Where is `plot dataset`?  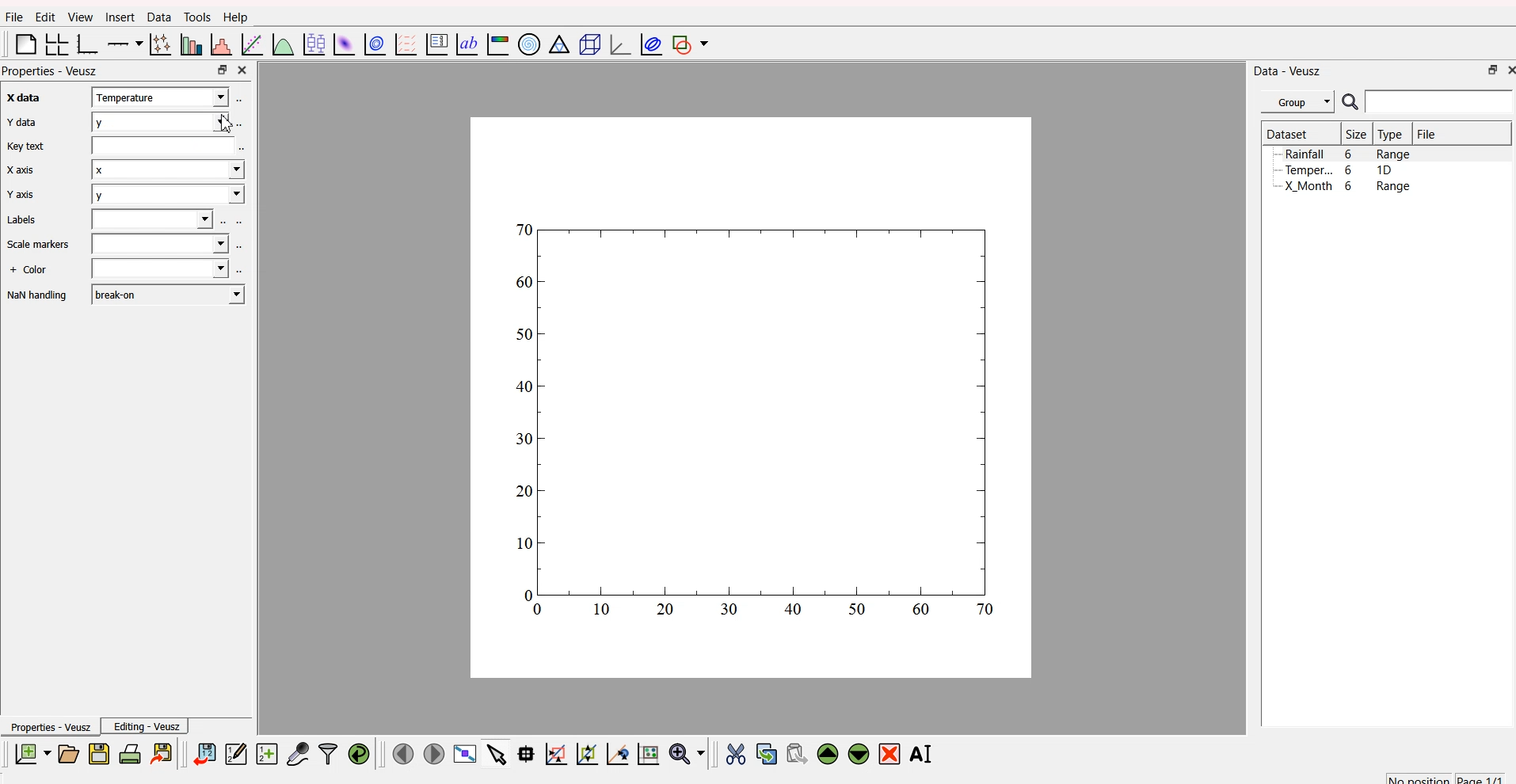 plot dataset is located at coordinates (342, 44).